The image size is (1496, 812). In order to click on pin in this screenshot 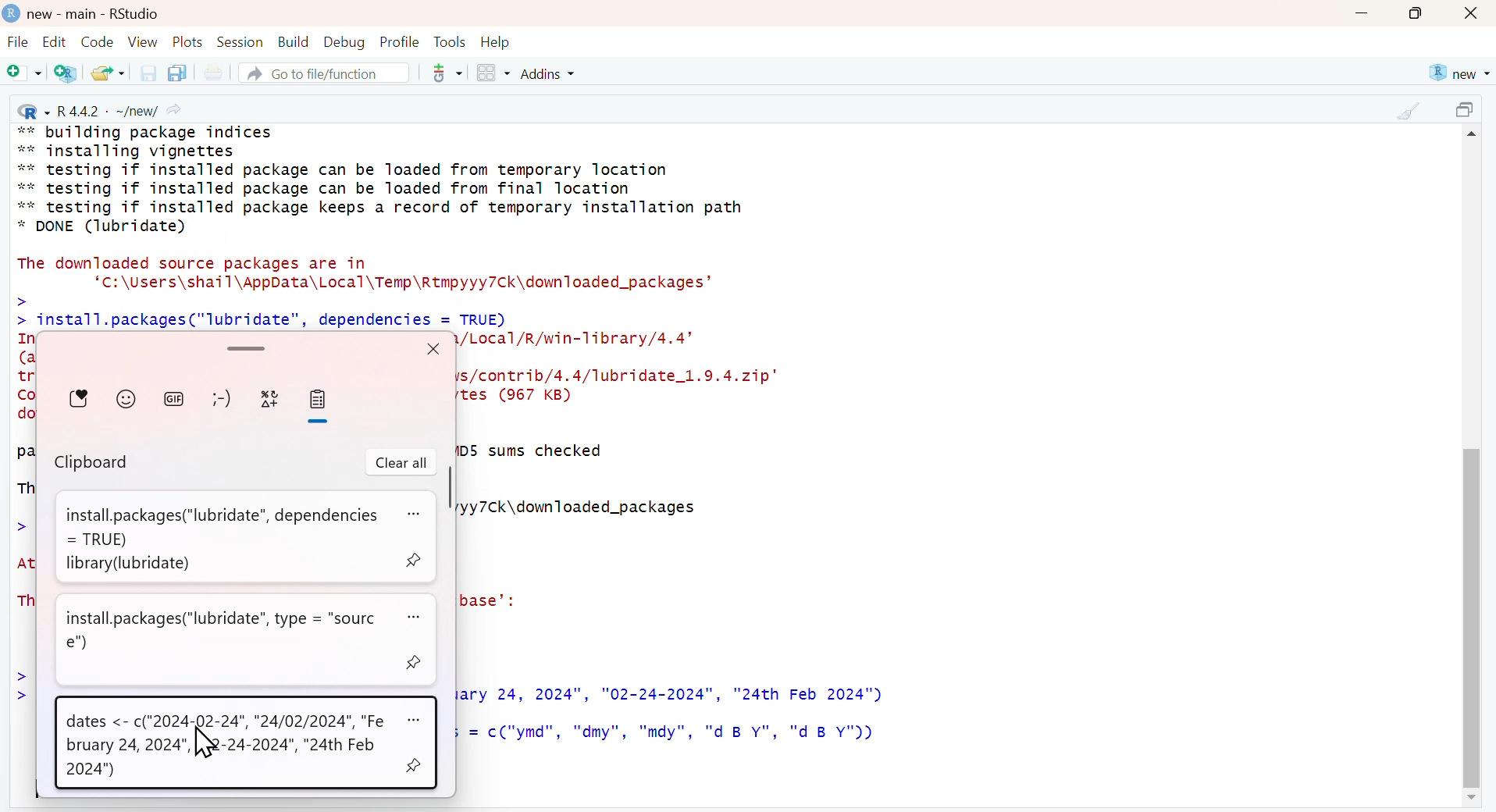, I will do `click(416, 560)`.